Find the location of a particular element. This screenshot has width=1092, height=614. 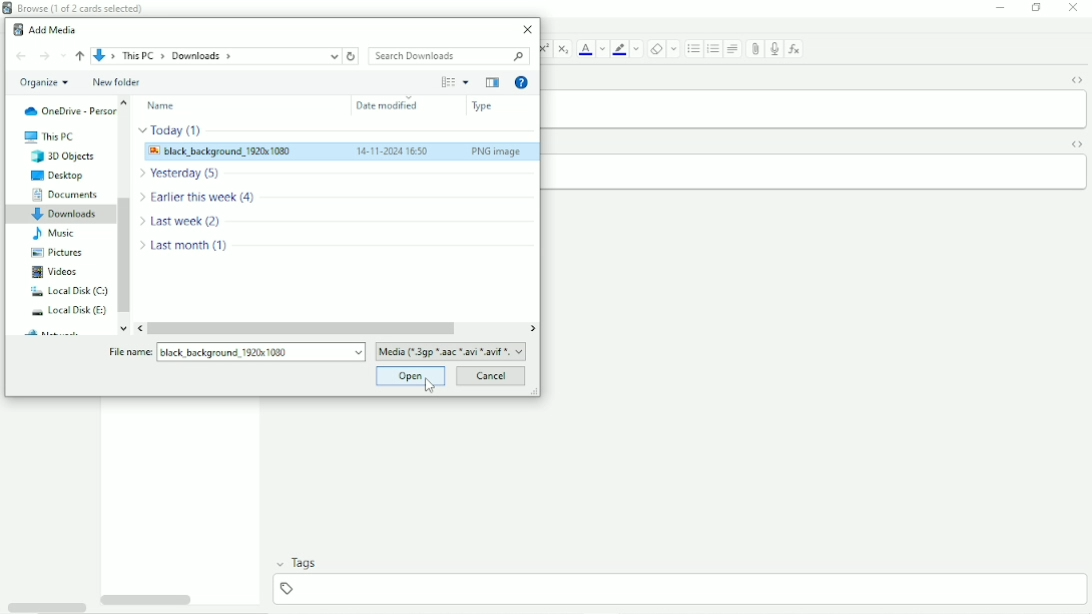

Videos is located at coordinates (56, 272).